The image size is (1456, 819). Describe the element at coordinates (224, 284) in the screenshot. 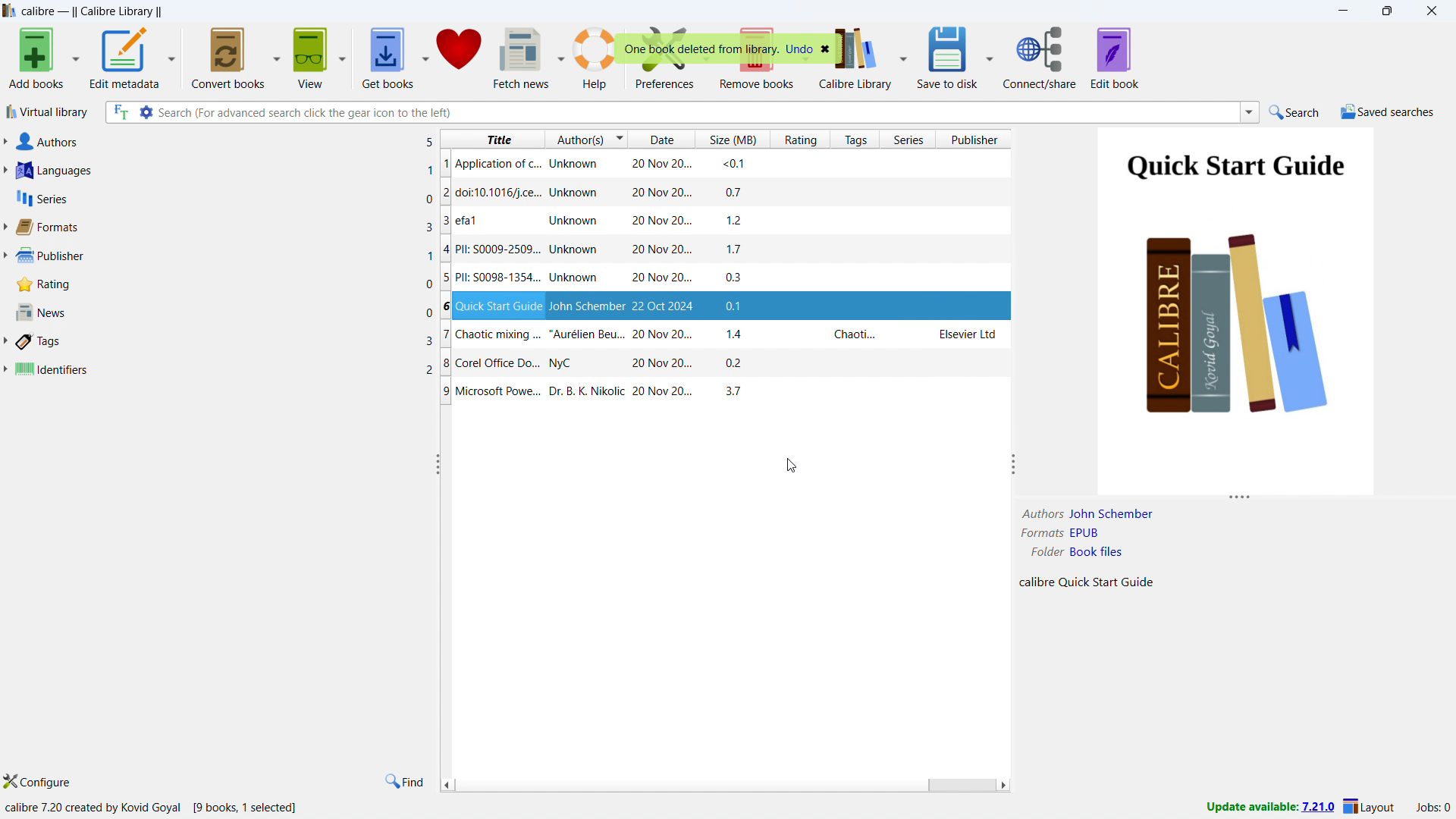

I see `rating` at that location.